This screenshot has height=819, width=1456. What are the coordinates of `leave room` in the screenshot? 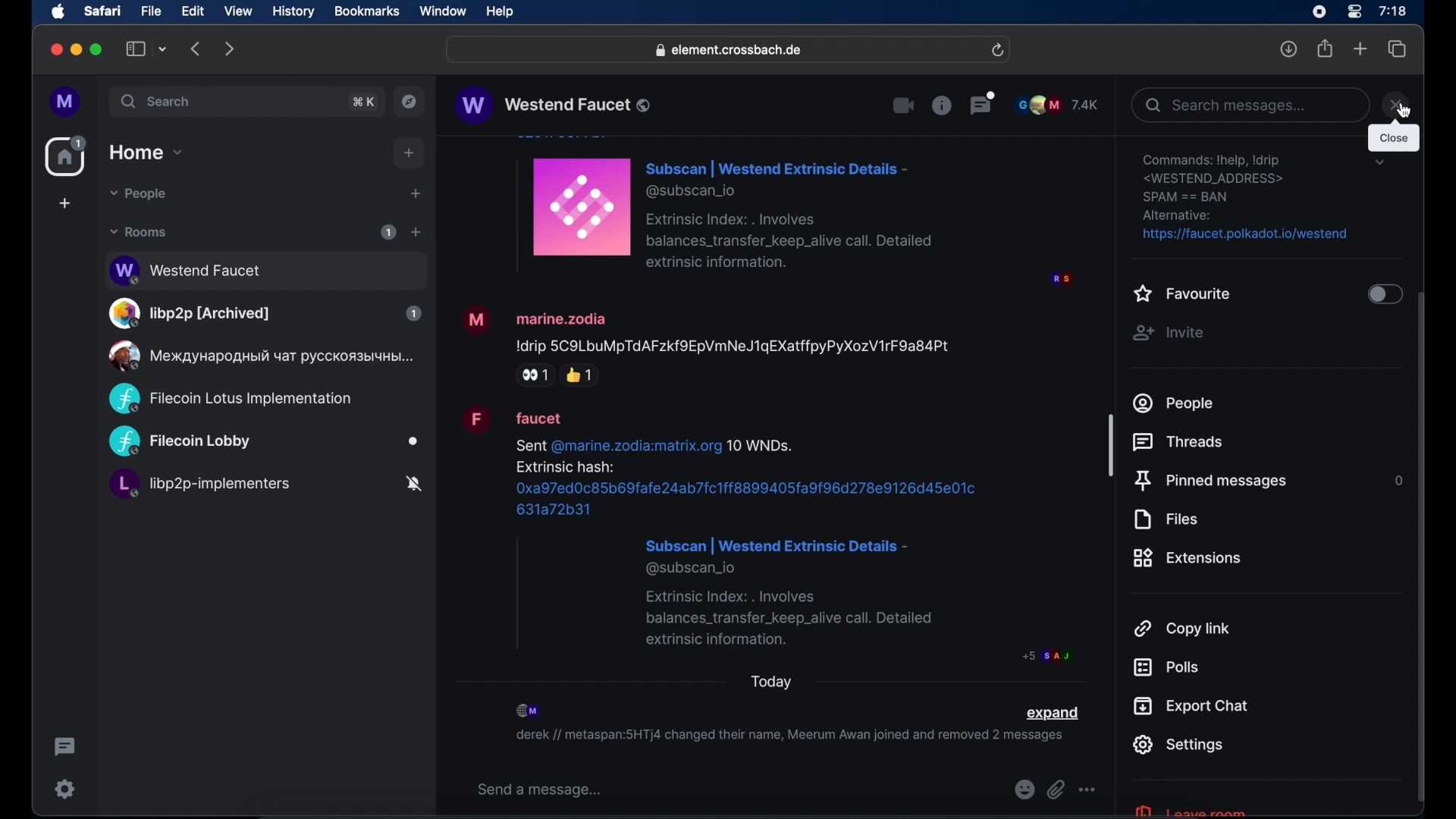 It's located at (1189, 809).